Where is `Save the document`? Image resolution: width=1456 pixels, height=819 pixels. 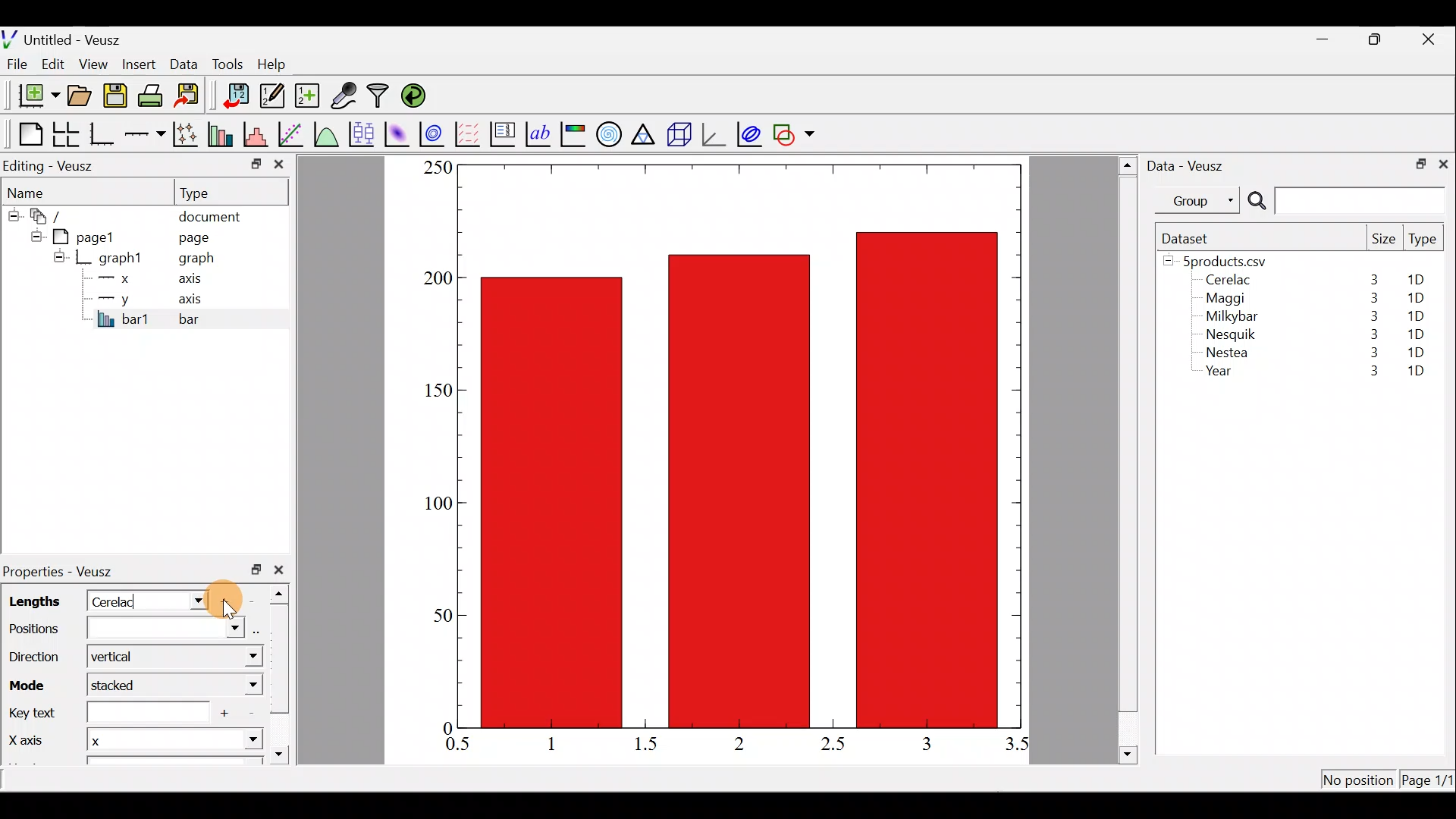 Save the document is located at coordinates (117, 99).